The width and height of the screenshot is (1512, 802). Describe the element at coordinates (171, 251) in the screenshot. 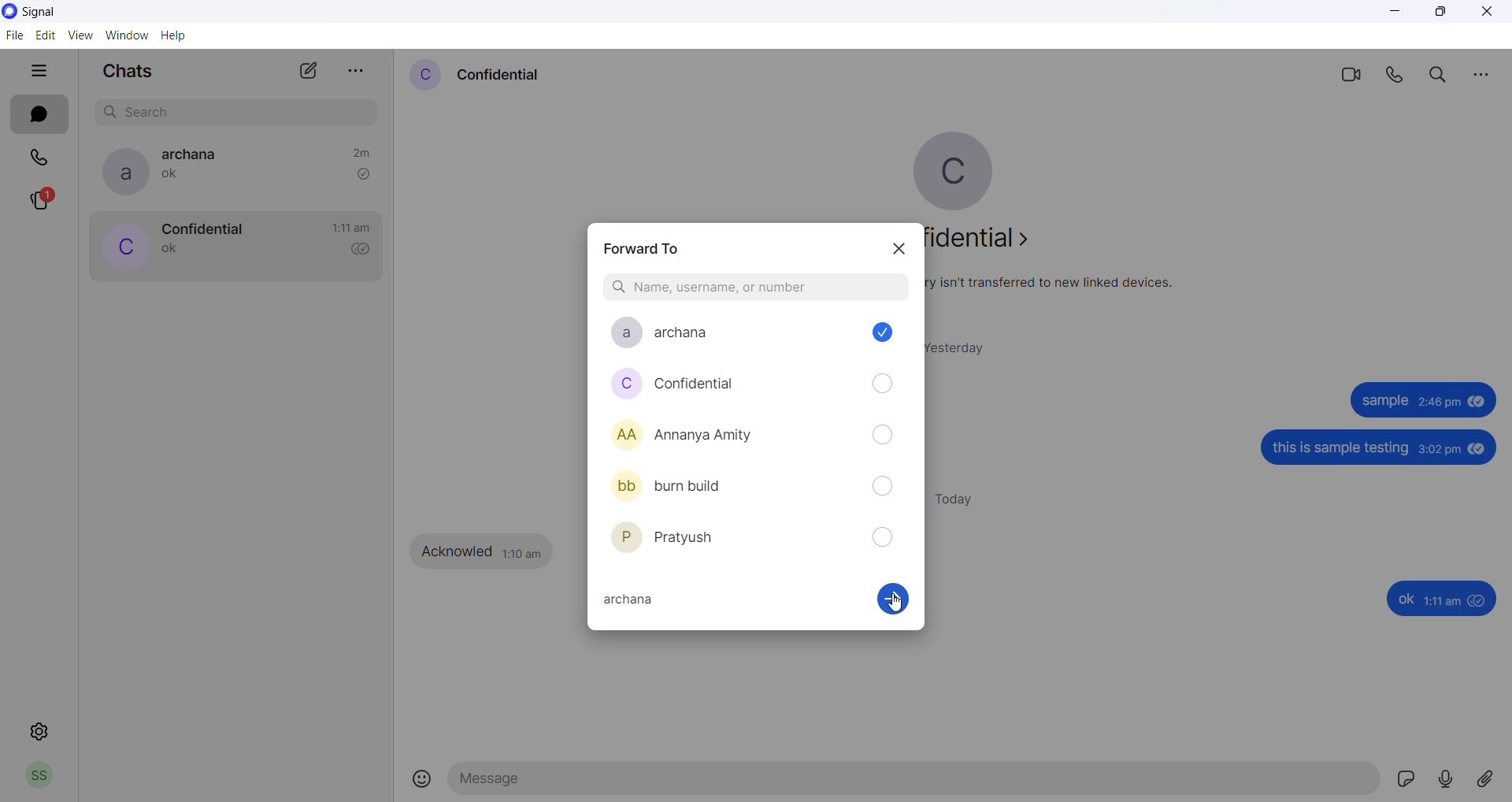

I see `last message` at that location.